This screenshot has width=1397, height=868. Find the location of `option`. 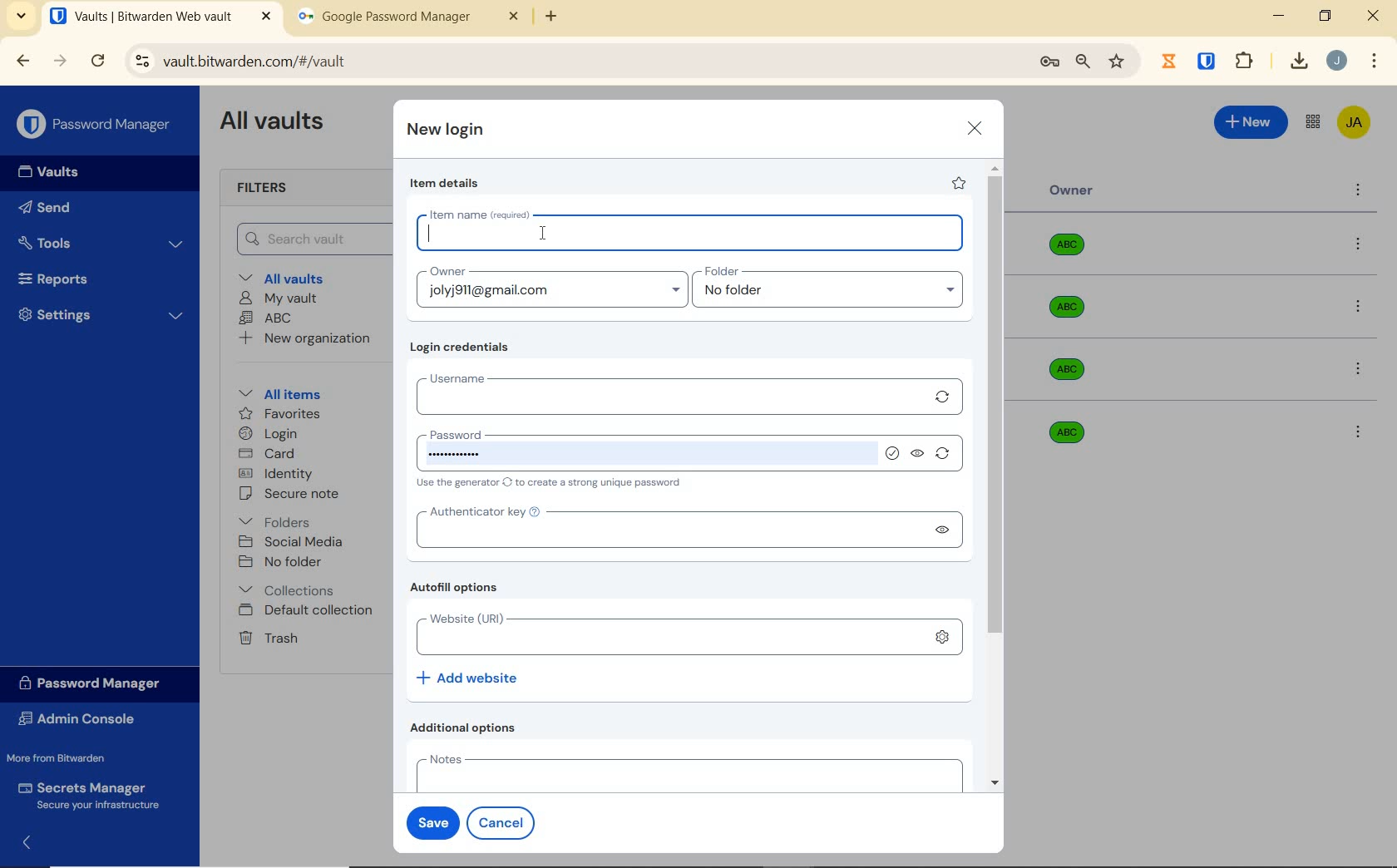

option is located at coordinates (1361, 245).